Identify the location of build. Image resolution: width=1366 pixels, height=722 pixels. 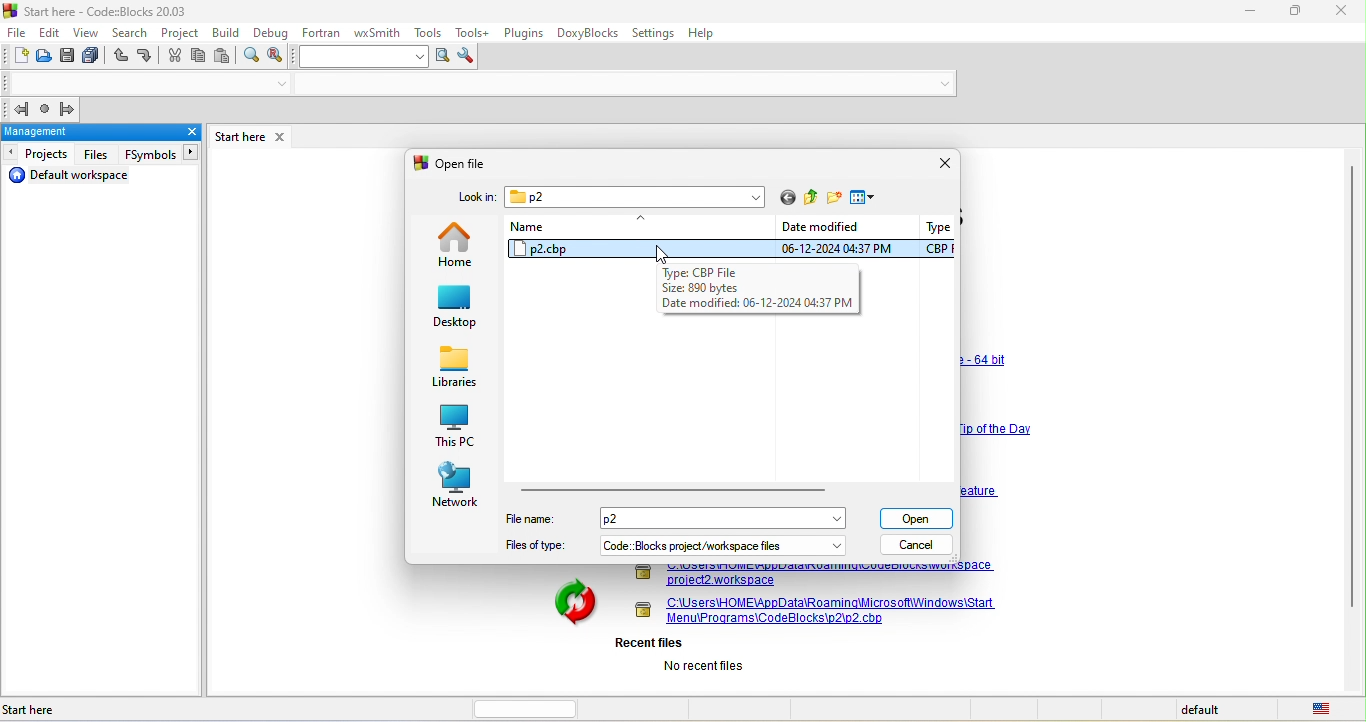
(228, 35).